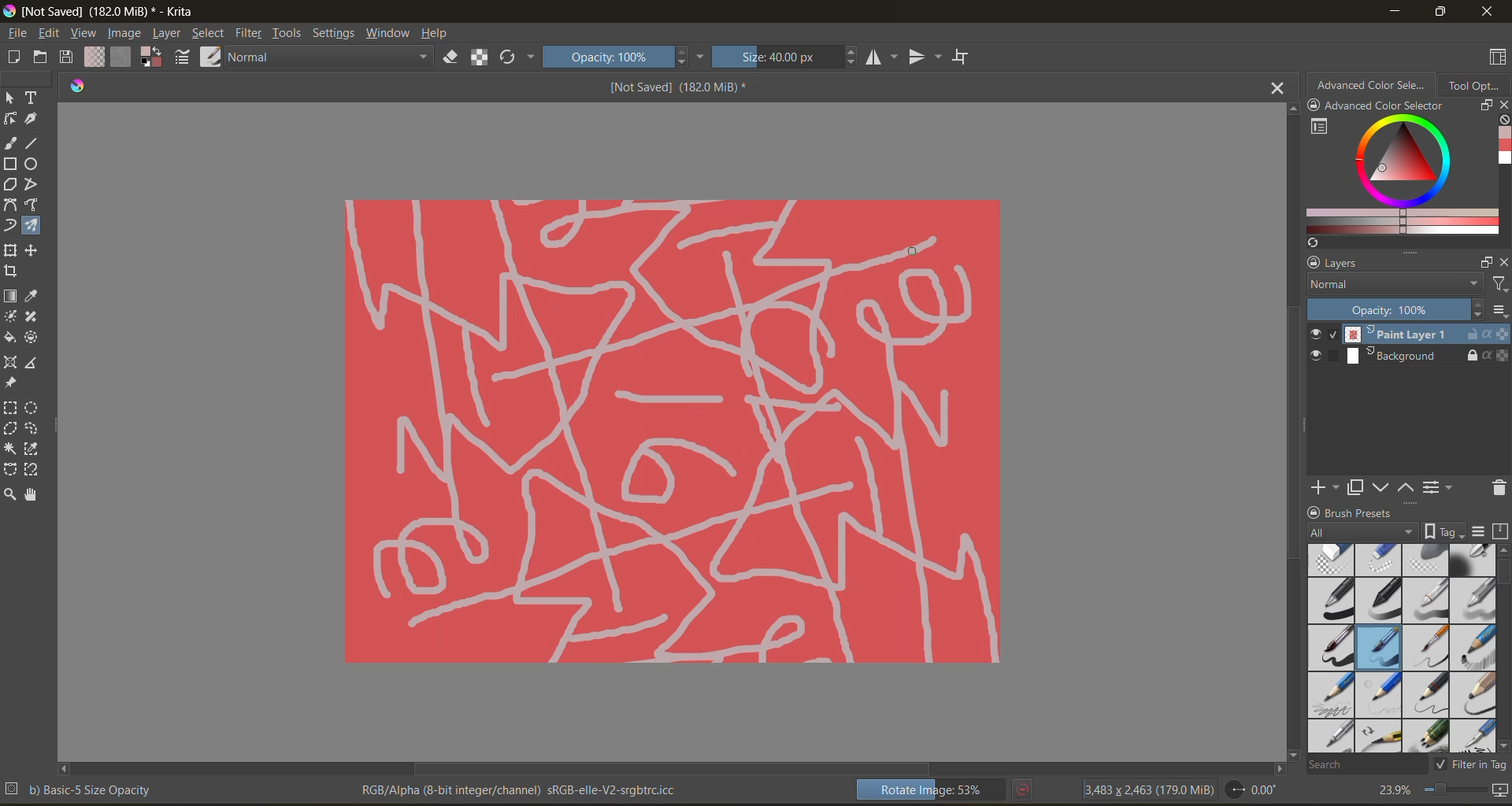 The width and height of the screenshot is (1512, 806). What do you see at coordinates (1290, 109) in the screenshot?
I see `Scroll up` at bounding box center [1290, 109].